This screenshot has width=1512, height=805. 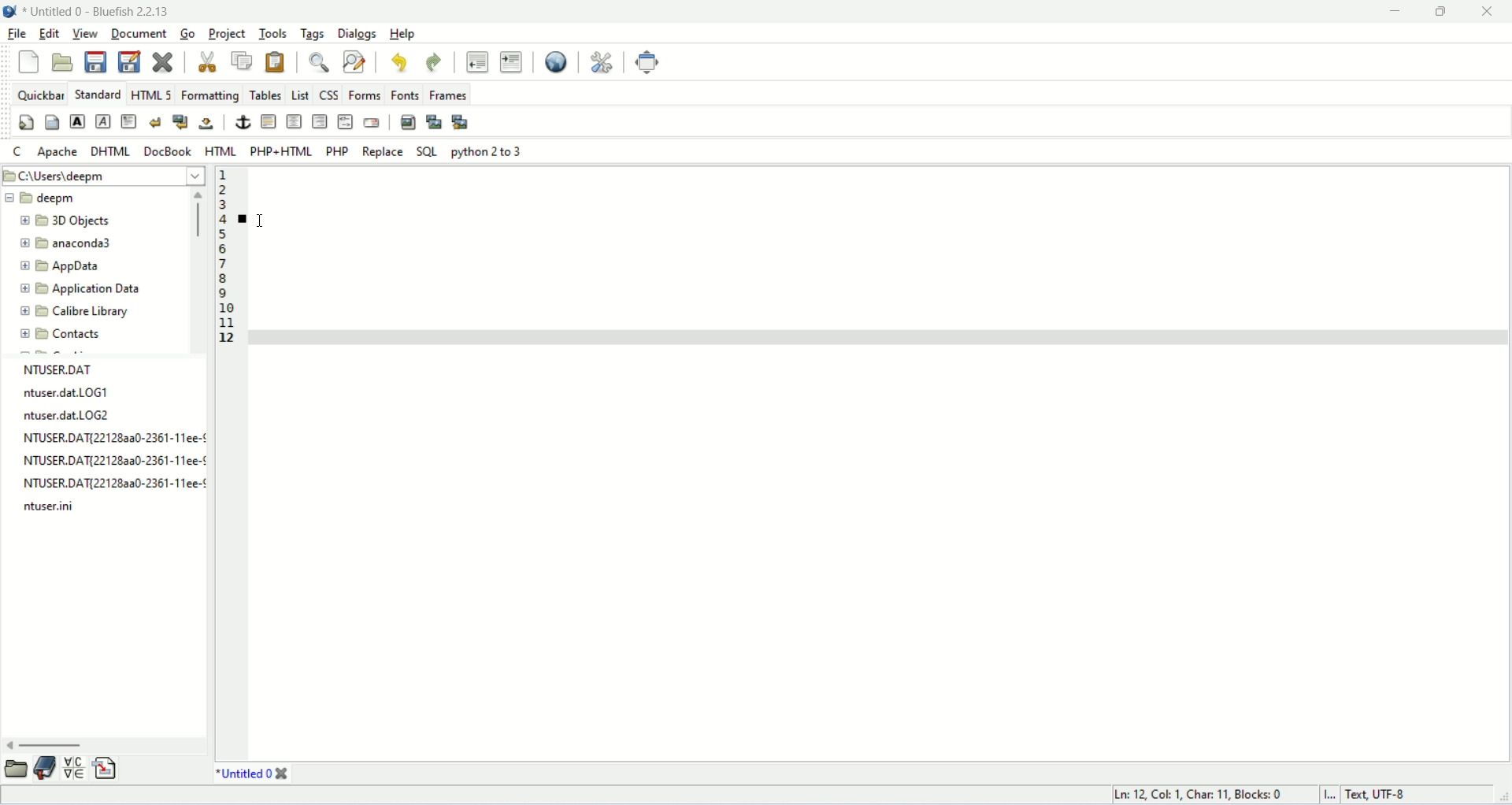 I want to click on formatting, so click(x=209, y=95).